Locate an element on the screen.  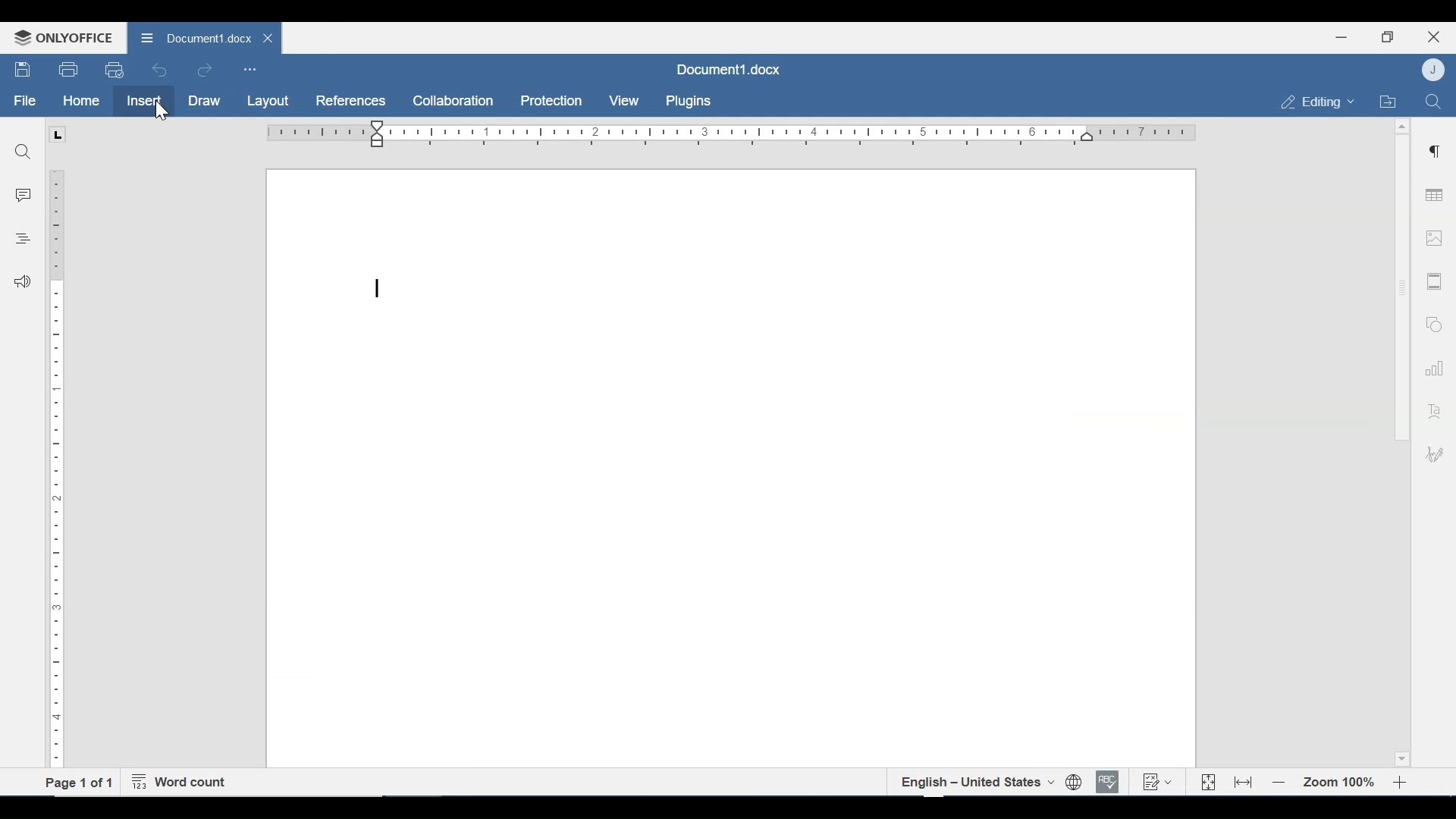
Fit to Page is located at coordinates (1207, 783).